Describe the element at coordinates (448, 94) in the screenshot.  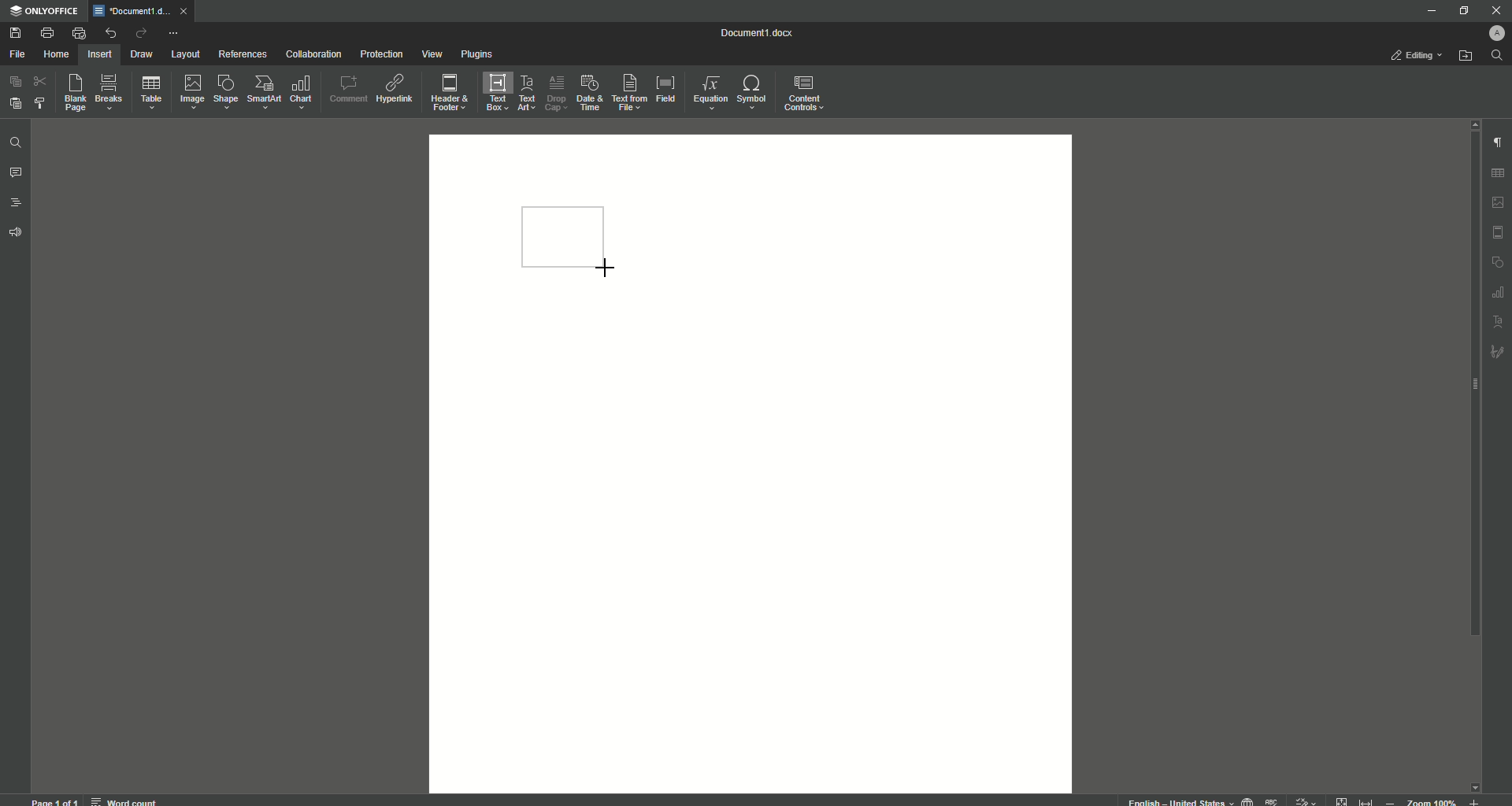
I see `Header and Footer` at that location.